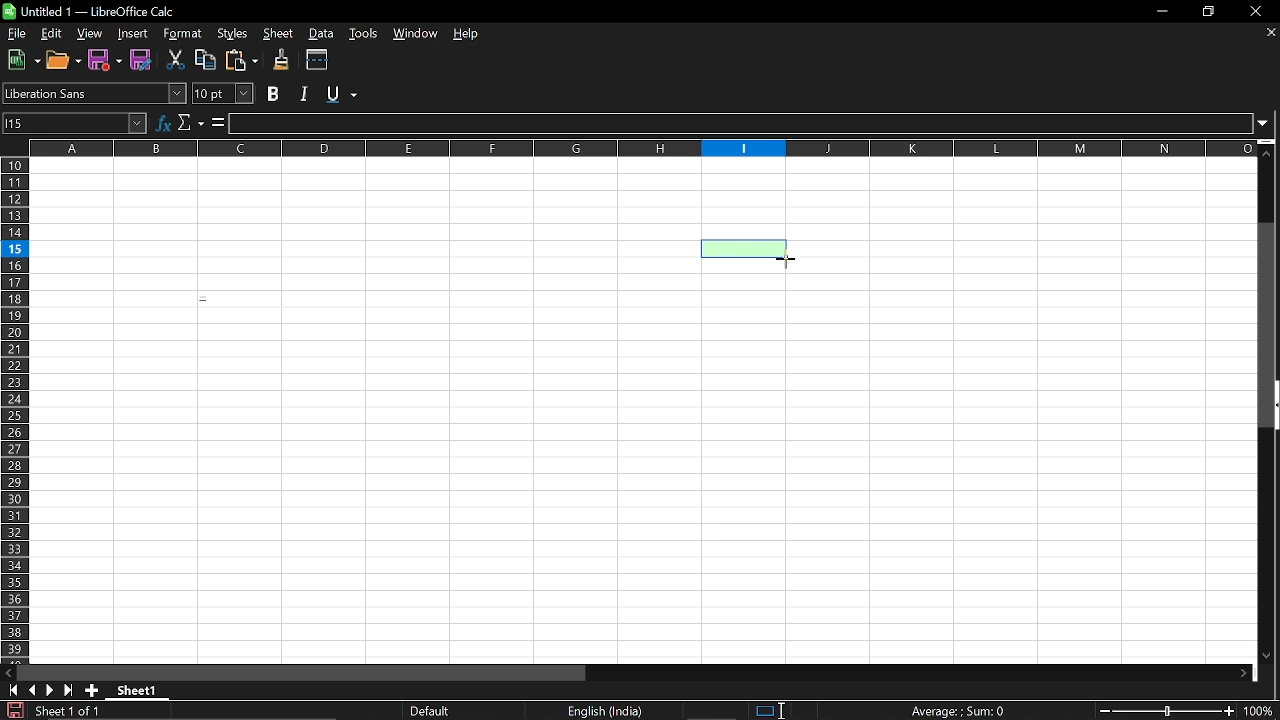  I want to click on Fillable cells, so click(975, 461).